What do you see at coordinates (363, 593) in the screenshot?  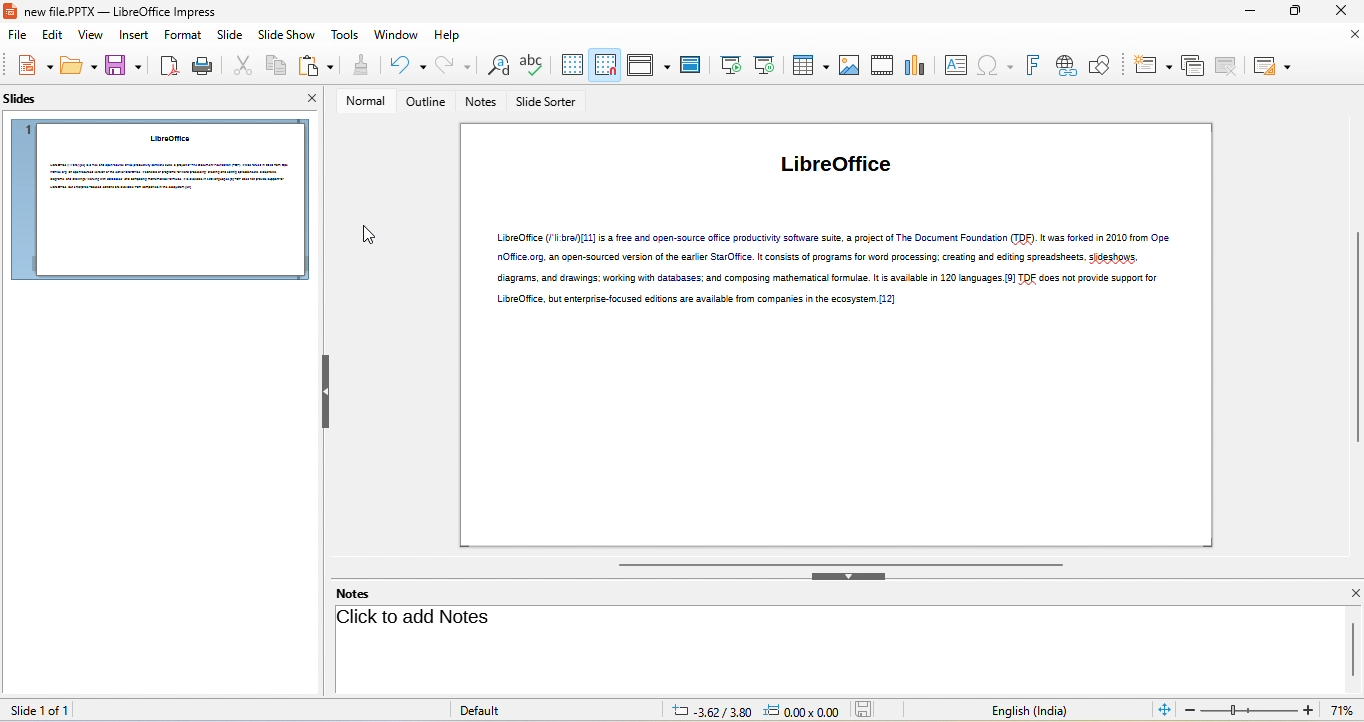 I see `notes` at bounding box center [363, 593].